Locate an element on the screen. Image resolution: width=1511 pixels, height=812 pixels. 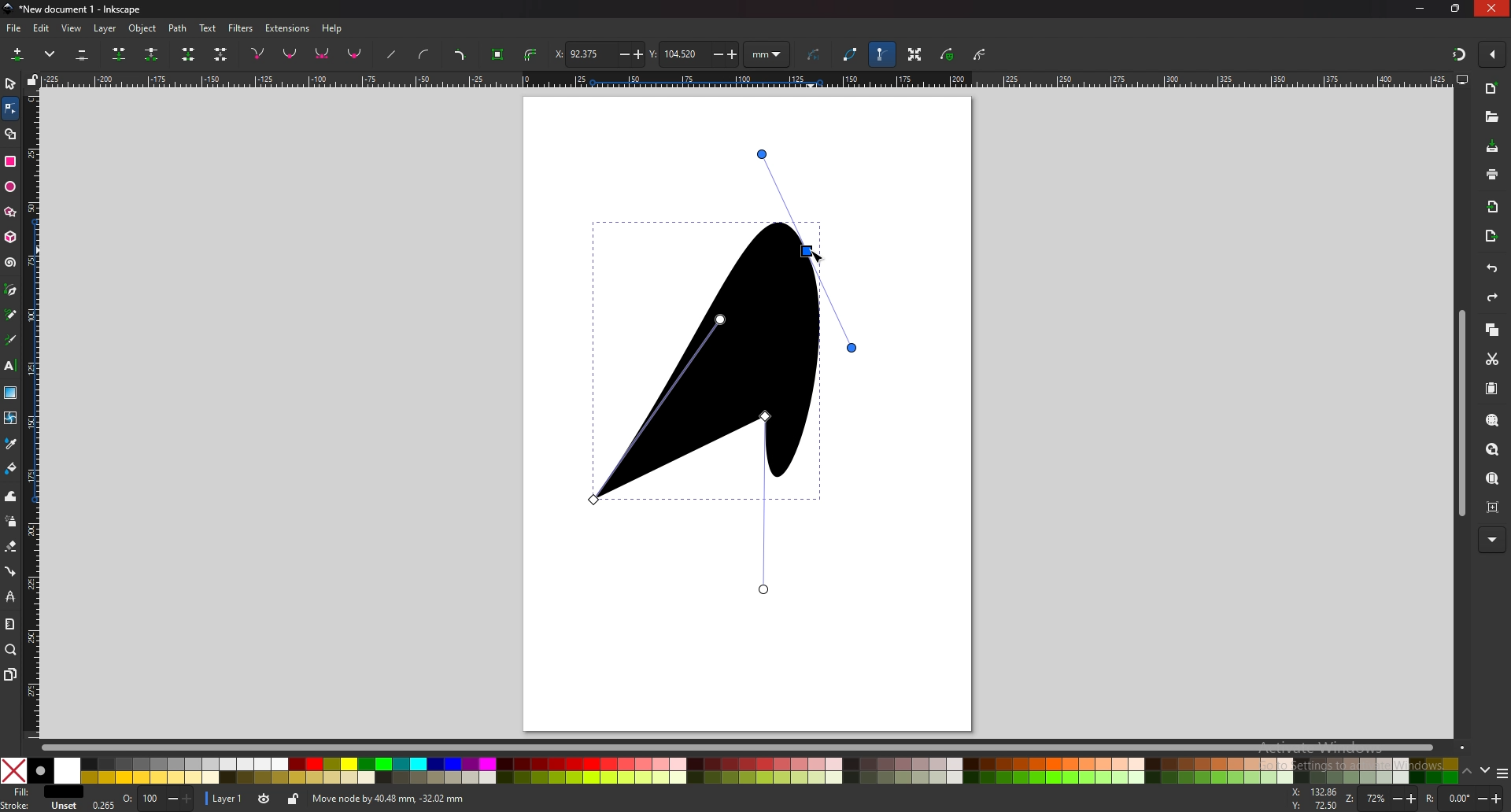
new is located at coordinates (1491, 88).